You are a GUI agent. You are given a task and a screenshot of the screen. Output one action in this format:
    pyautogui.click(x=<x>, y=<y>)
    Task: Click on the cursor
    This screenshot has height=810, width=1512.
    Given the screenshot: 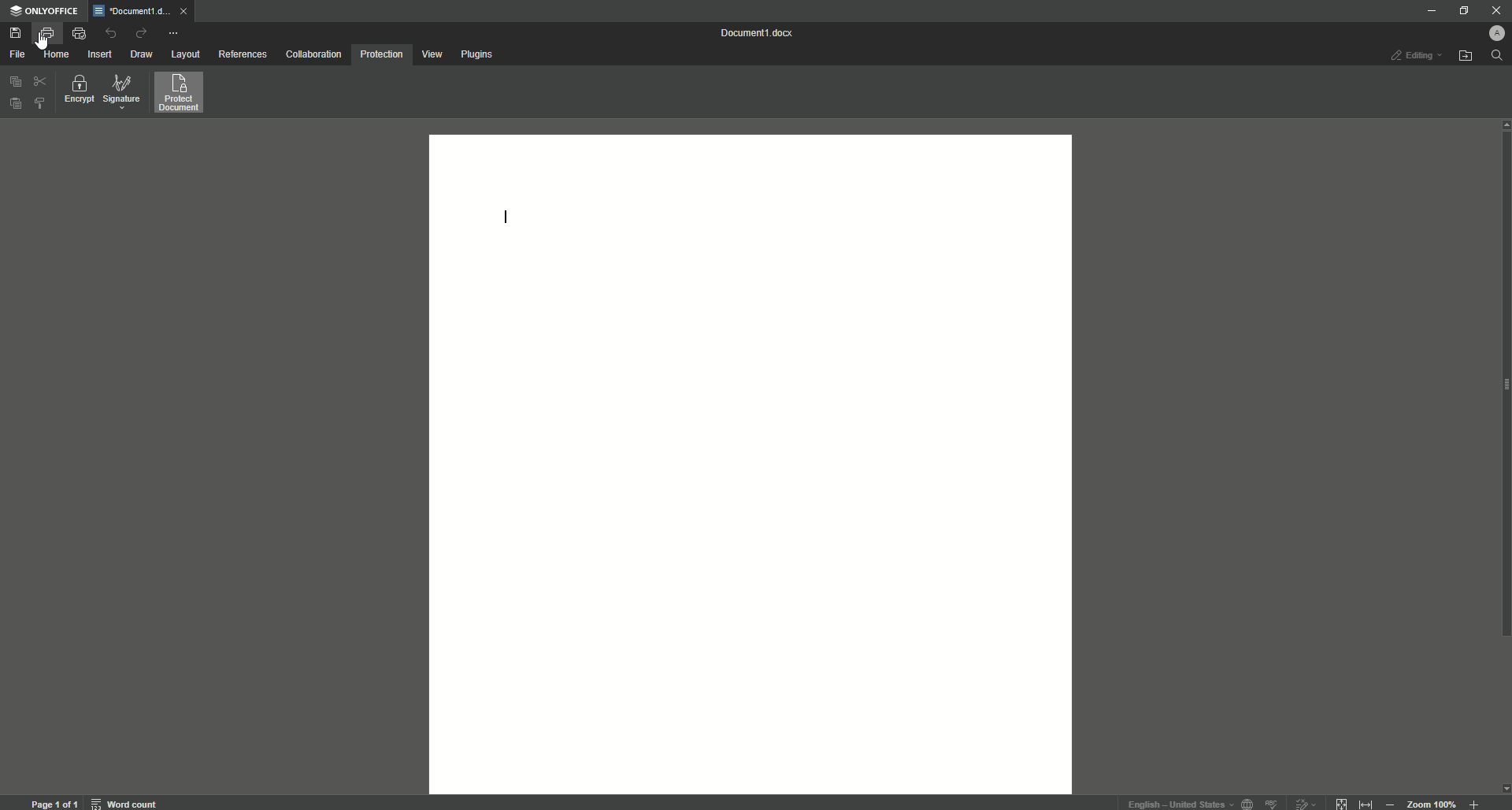 What is the action you would take?
    pyautogui.click(x=43, y=45)
    